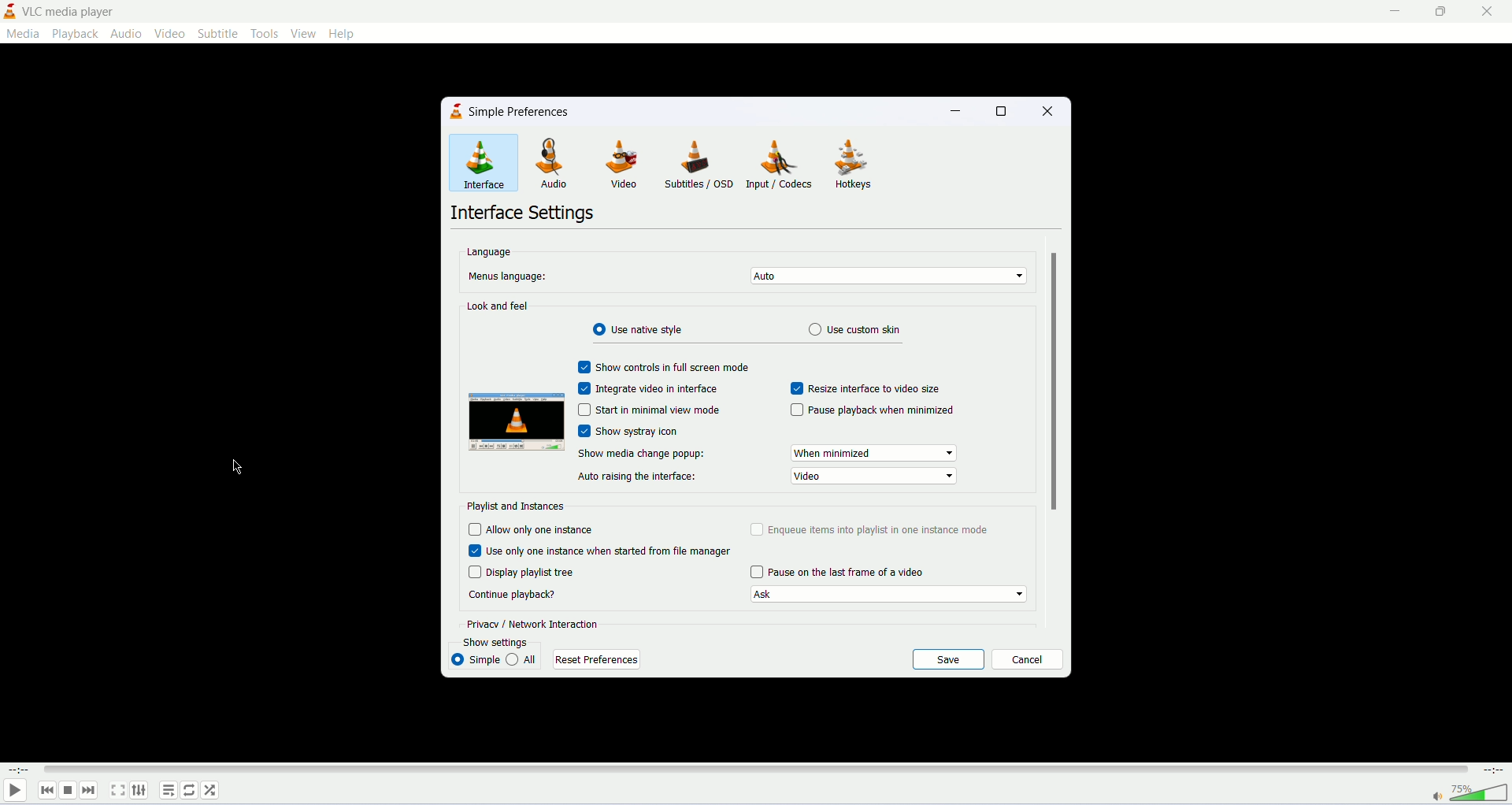 Image resolution: width=1512 pixels, height=805 pixels. I want to click on maximize, so click(1006, 111).